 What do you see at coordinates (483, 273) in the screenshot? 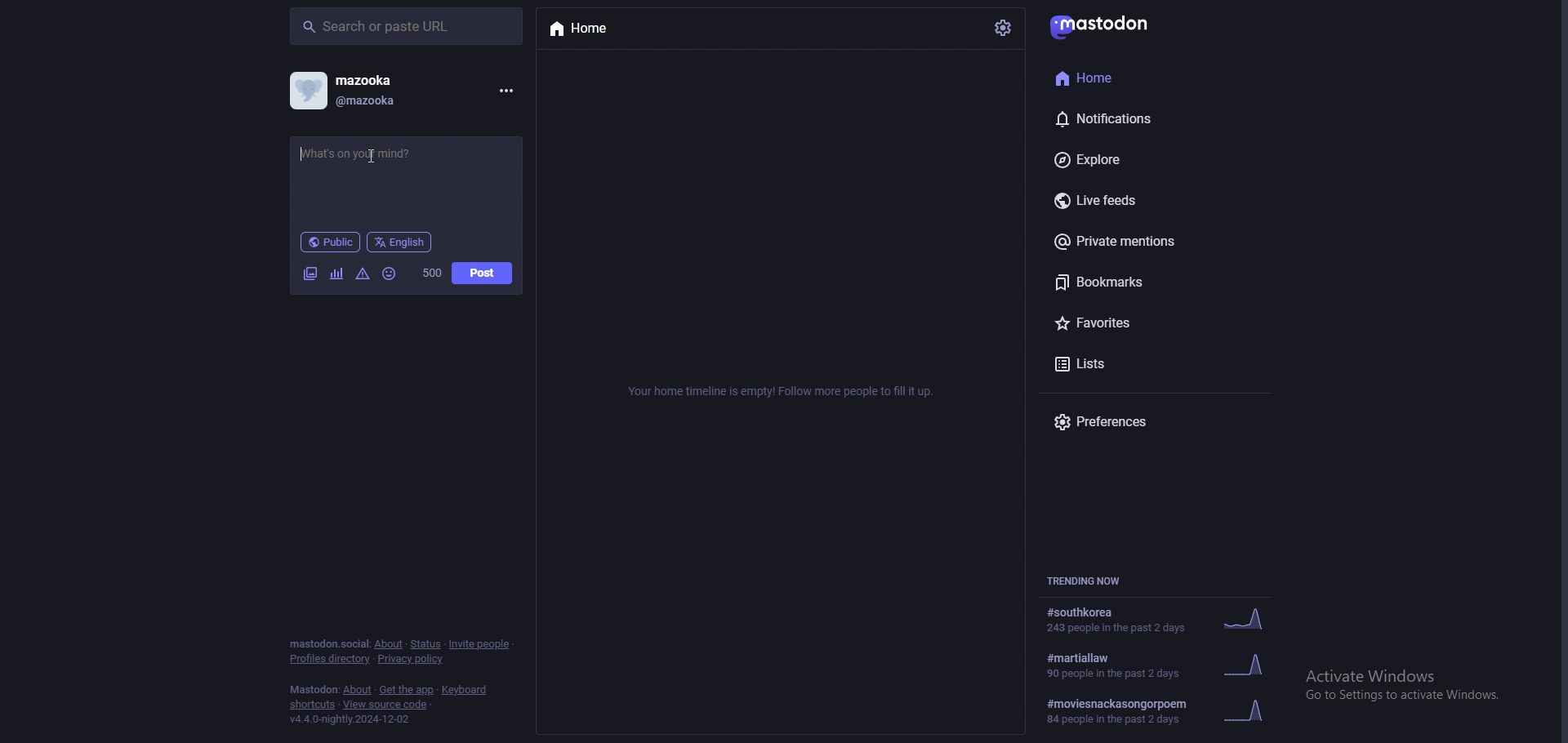
I see `post` at bounding box center [483, 273].